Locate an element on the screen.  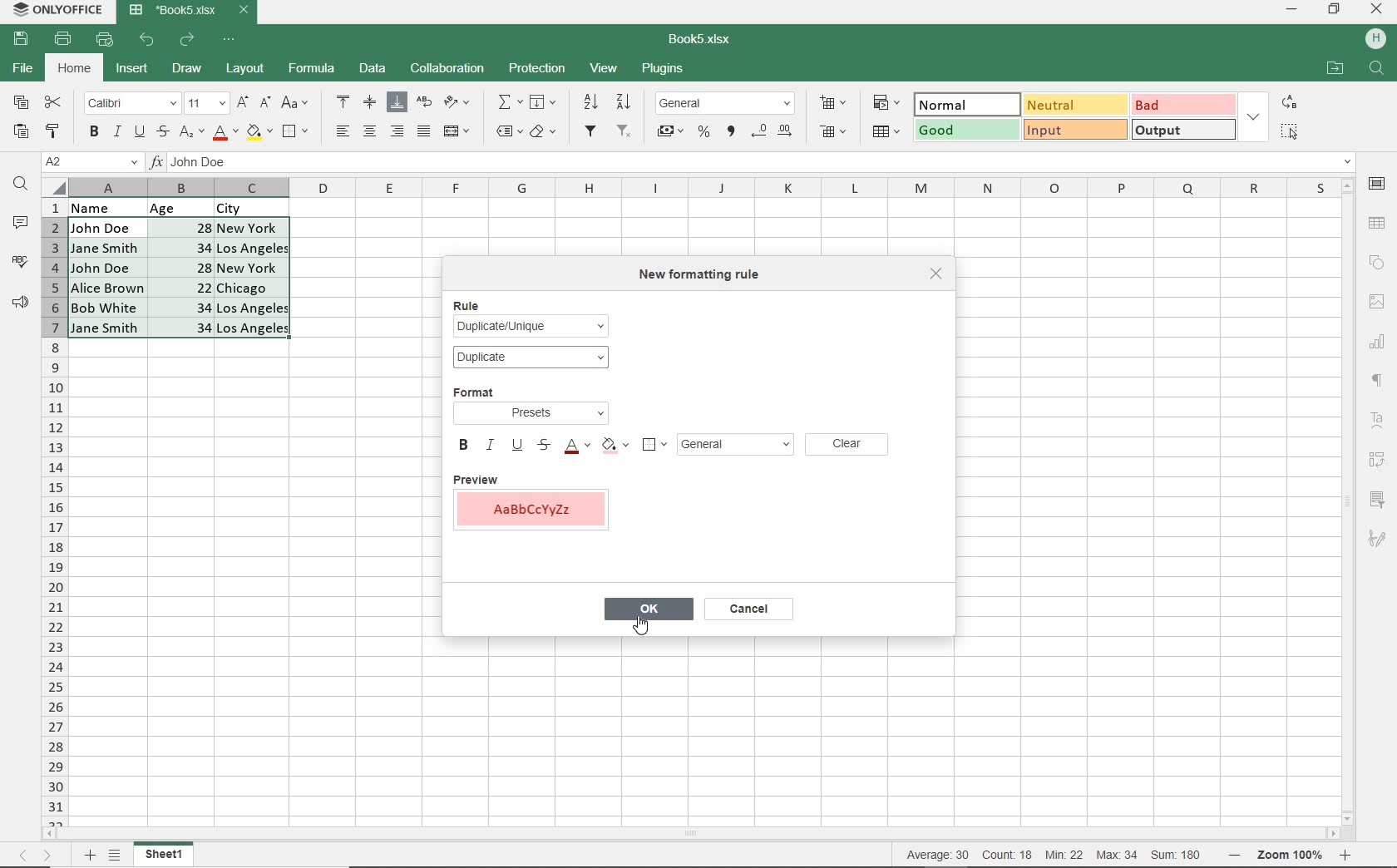
SLICER is located at coordinates (1379, 501).